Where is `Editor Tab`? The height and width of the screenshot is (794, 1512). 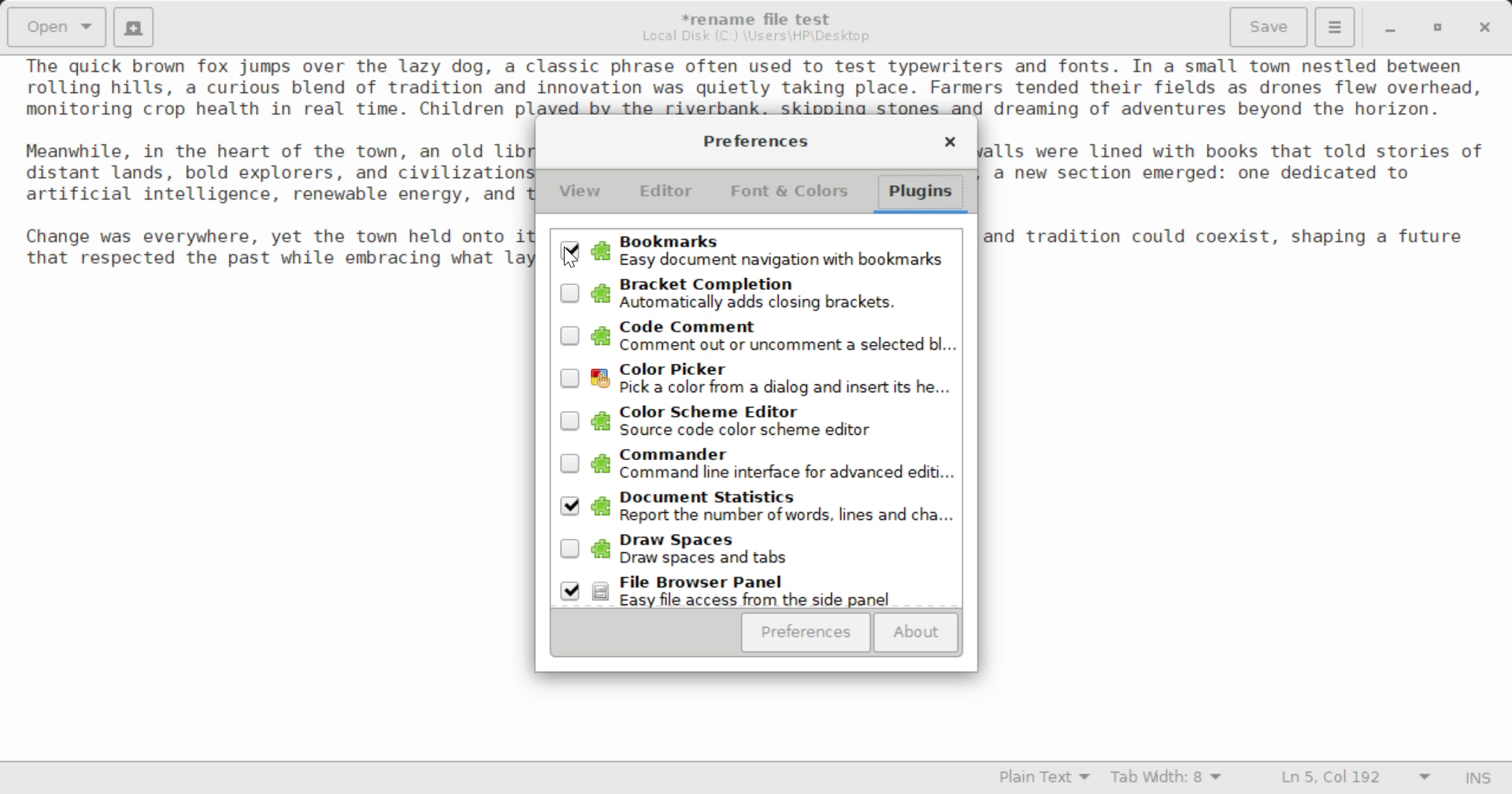
Editor Tab is located at coordinates (669, 195).